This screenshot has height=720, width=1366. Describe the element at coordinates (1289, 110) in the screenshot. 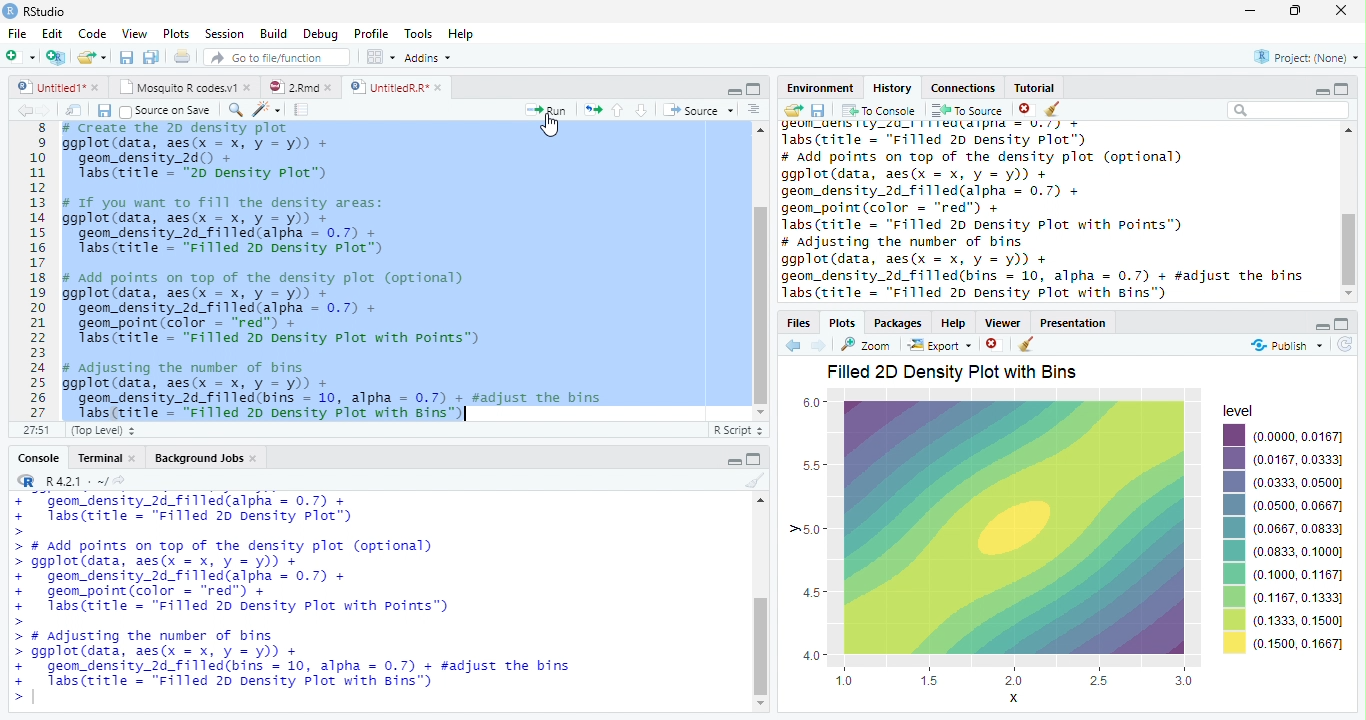

I see `Search` at that location.